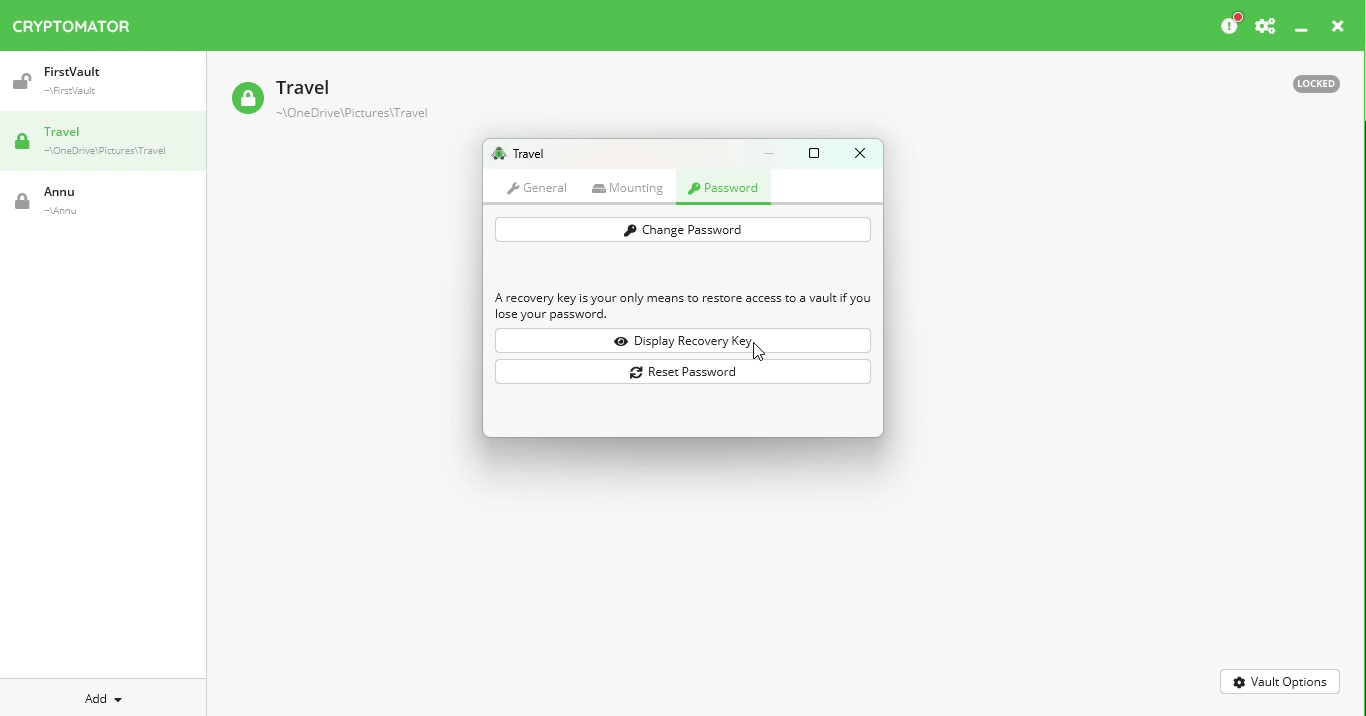 Image resolution: width=1366 pixels, height=716 pixels. What do you see at coordinates (93, 81) in the screenshot?
I see `Vault` at bounding box center [93, 81].